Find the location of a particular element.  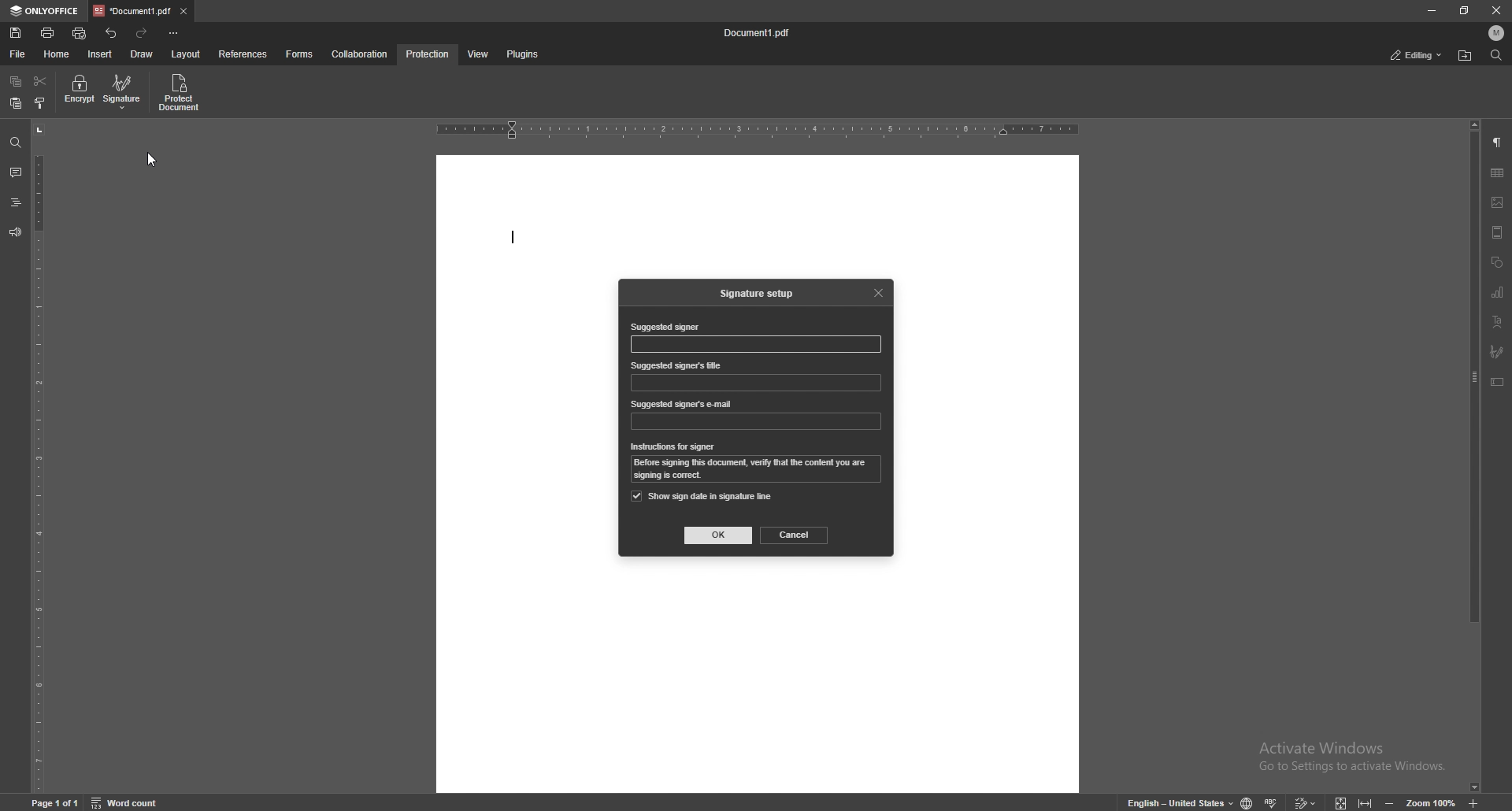

view is located at coordinates (475, 55).